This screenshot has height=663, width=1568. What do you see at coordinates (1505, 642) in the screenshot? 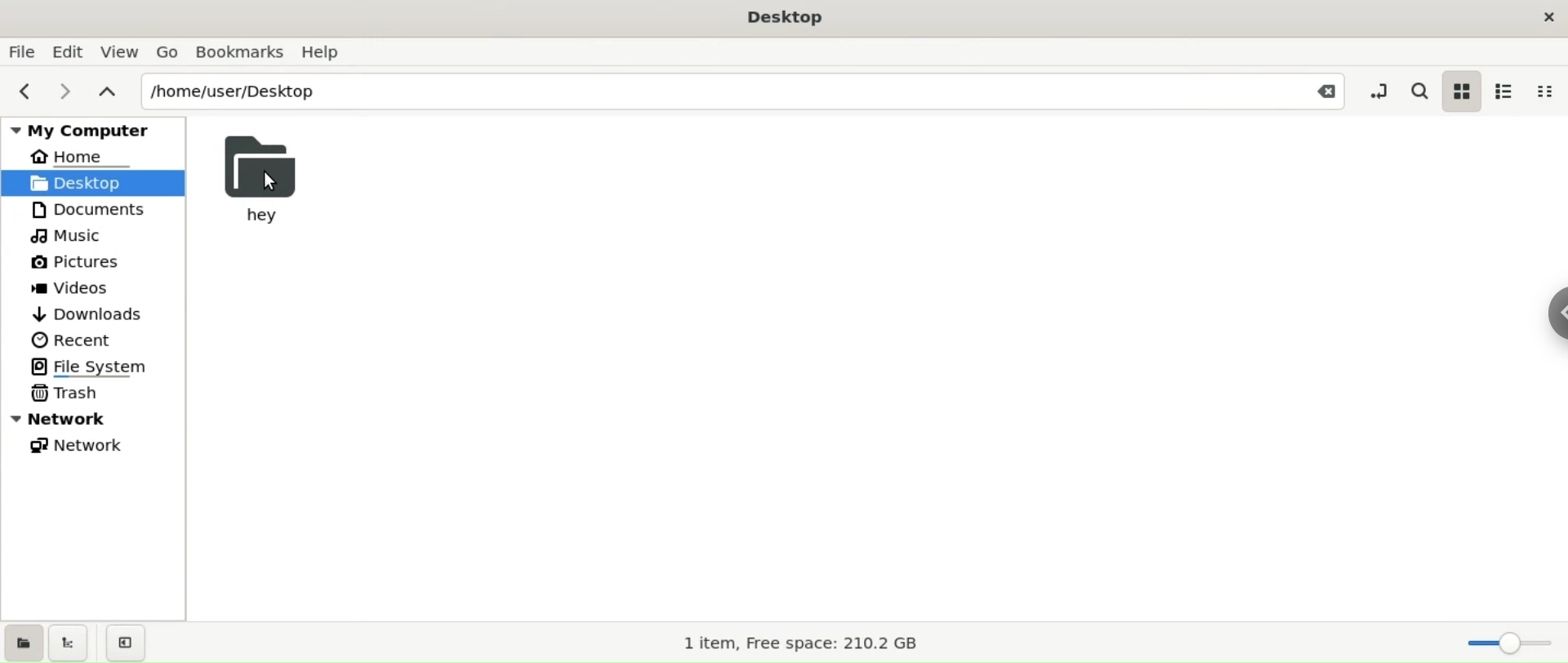
I see `zoom` at bounding box center [1505, 642].